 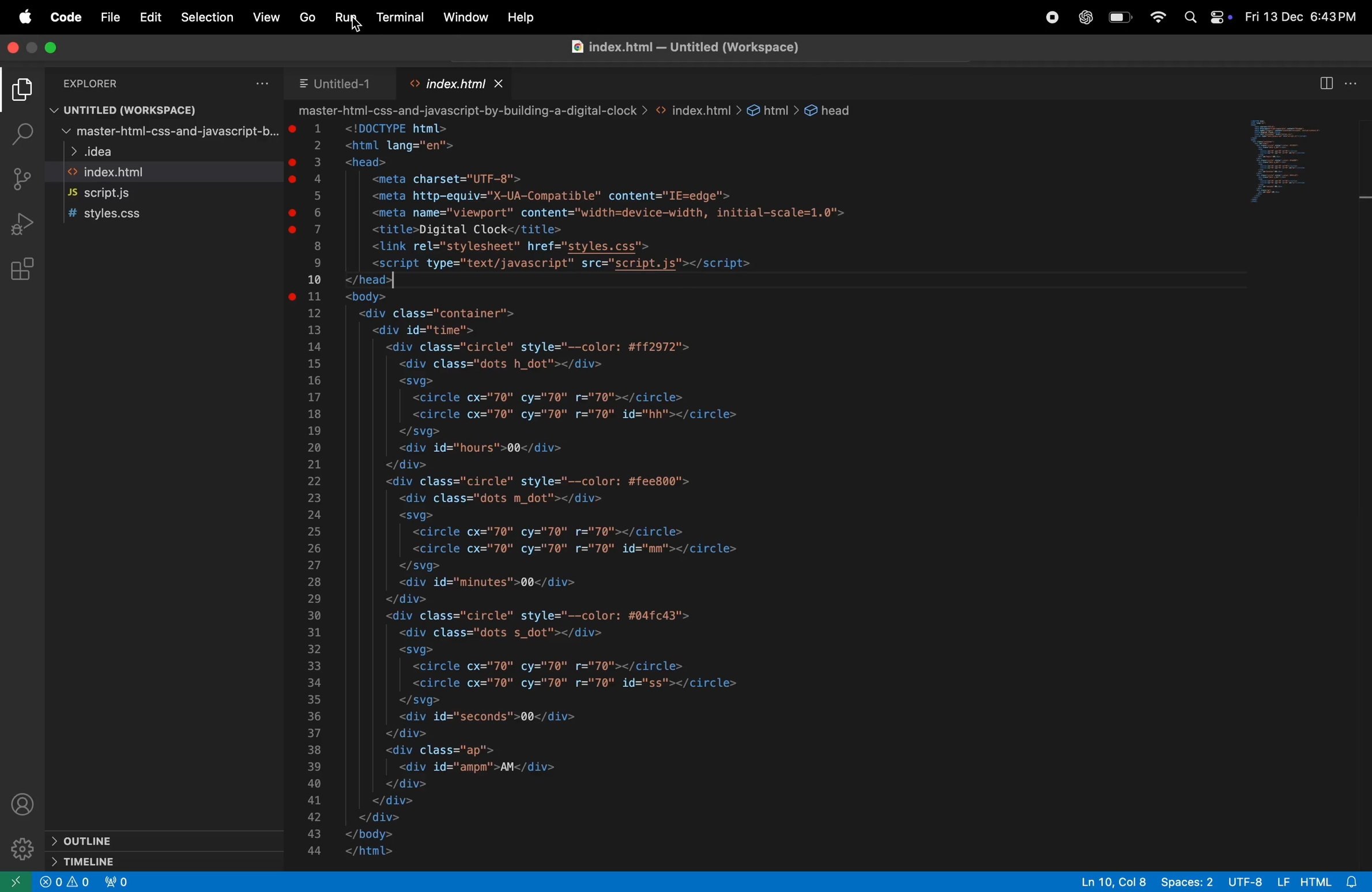 What do you see at coordinates (26, 17) in the screenshot?
I see `apple menu` at bounding box center [26, 17].